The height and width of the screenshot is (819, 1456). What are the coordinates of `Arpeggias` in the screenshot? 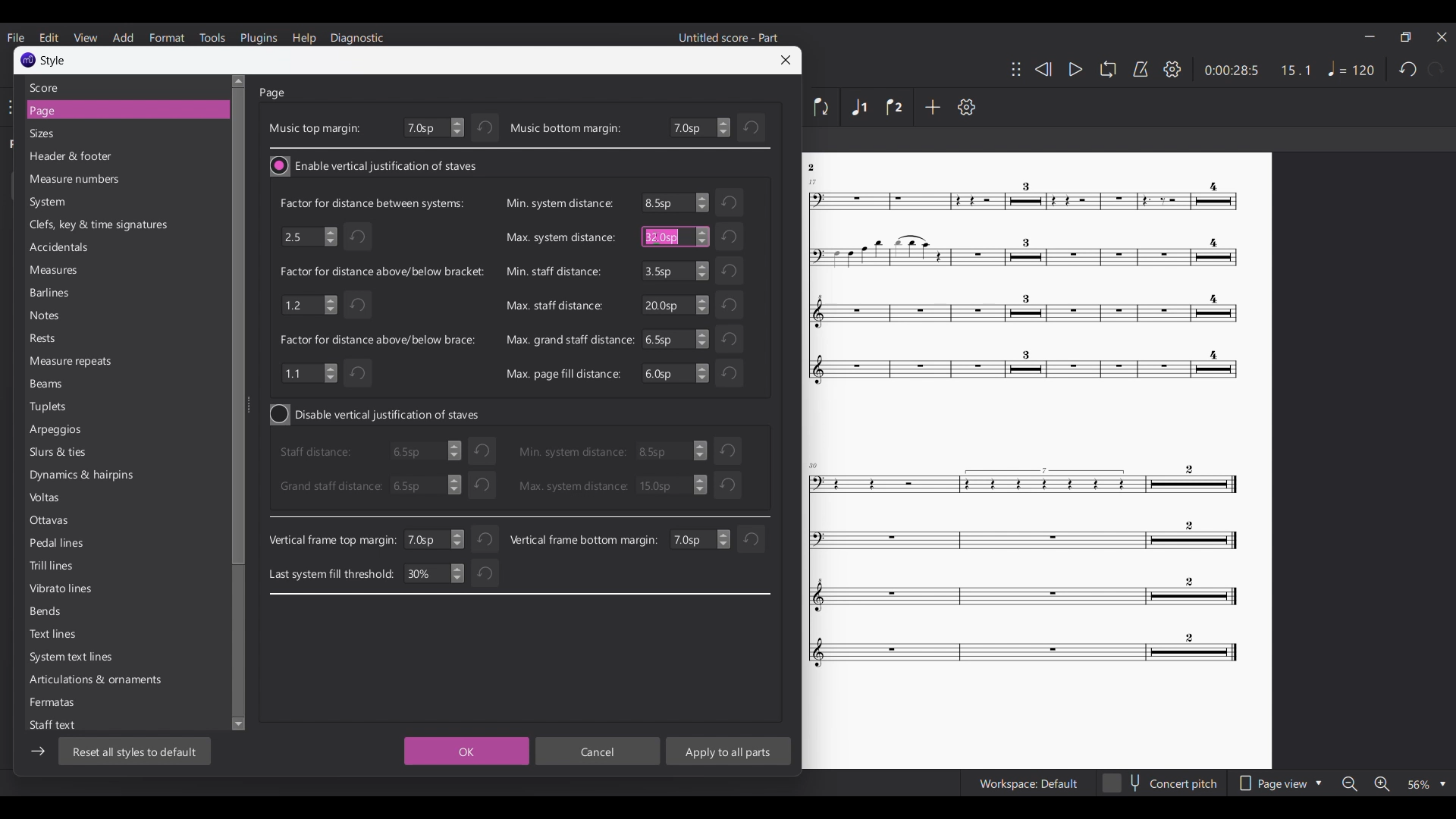 It's located at (71, 430).